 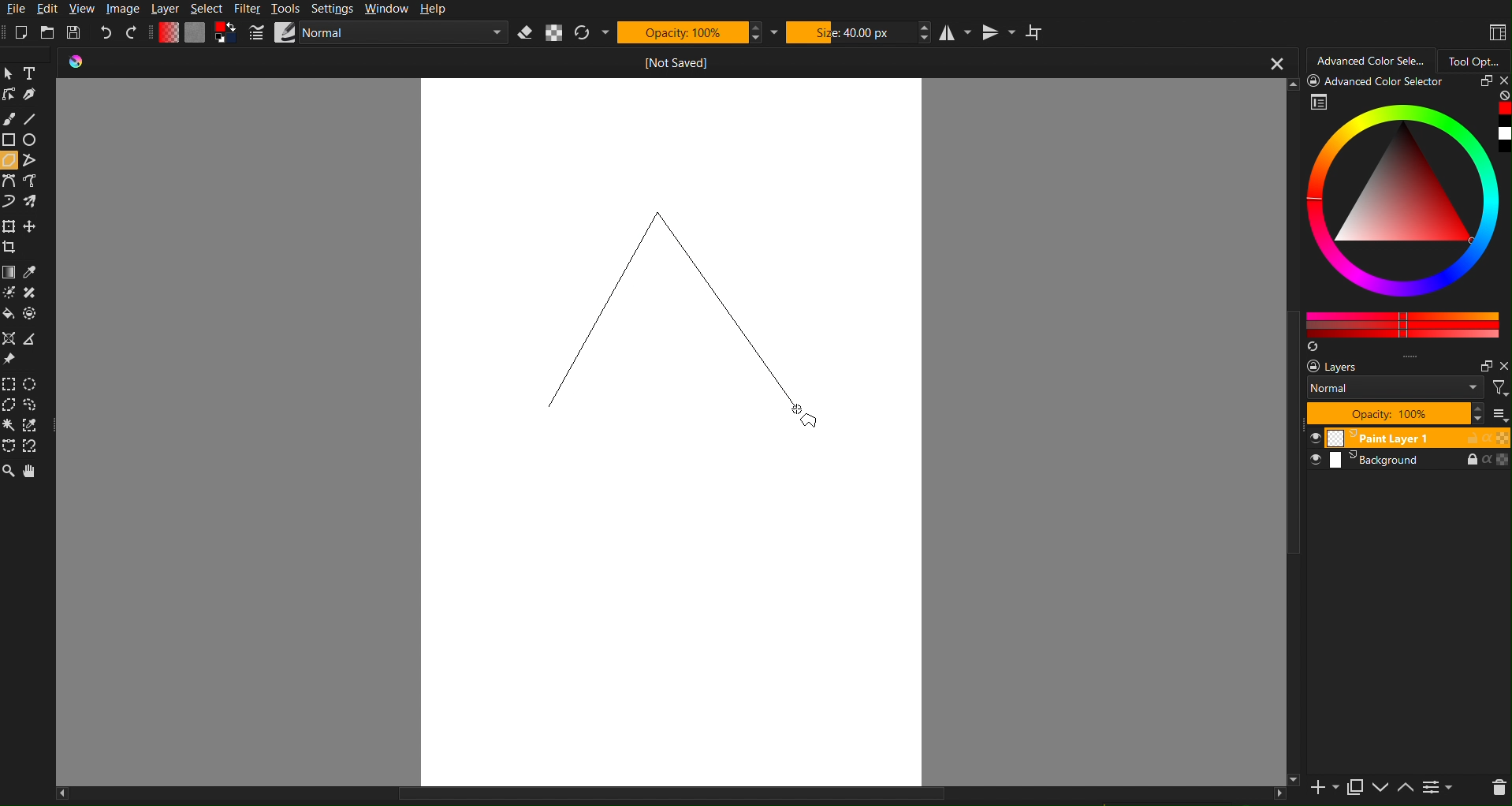 I want to click on Workspaces, so click(x=1496, y=32).